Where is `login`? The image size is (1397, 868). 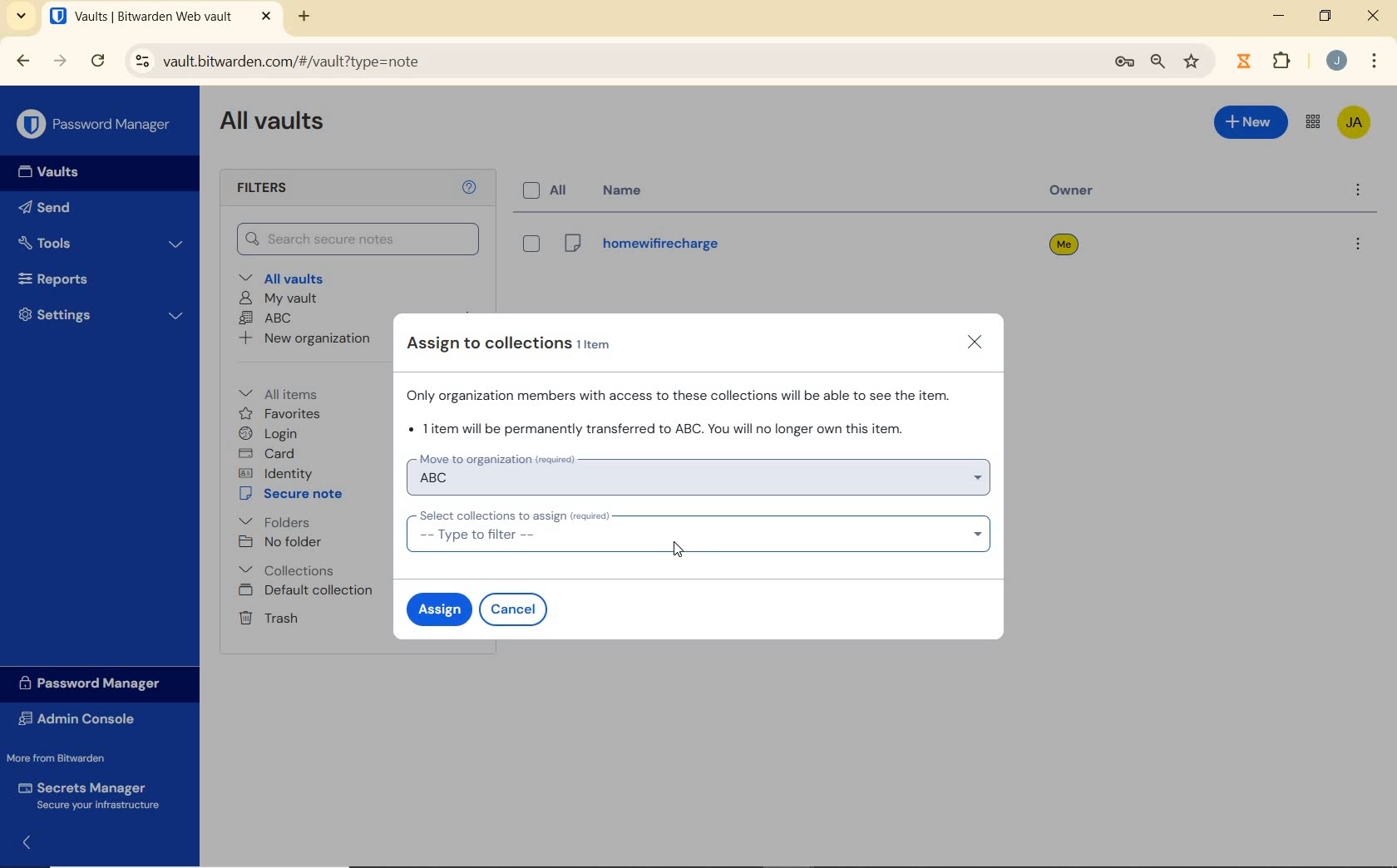
login is located at coordinates (271, 433).